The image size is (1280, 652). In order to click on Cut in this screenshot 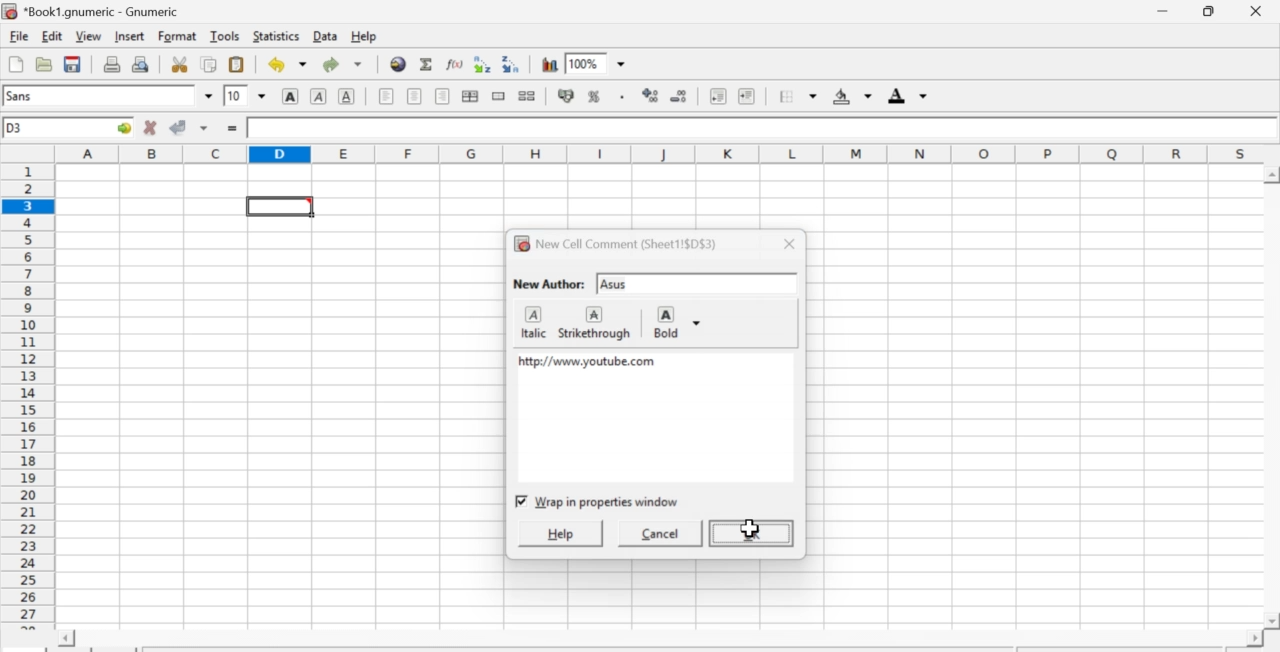, I will do `click(180, 64)`.